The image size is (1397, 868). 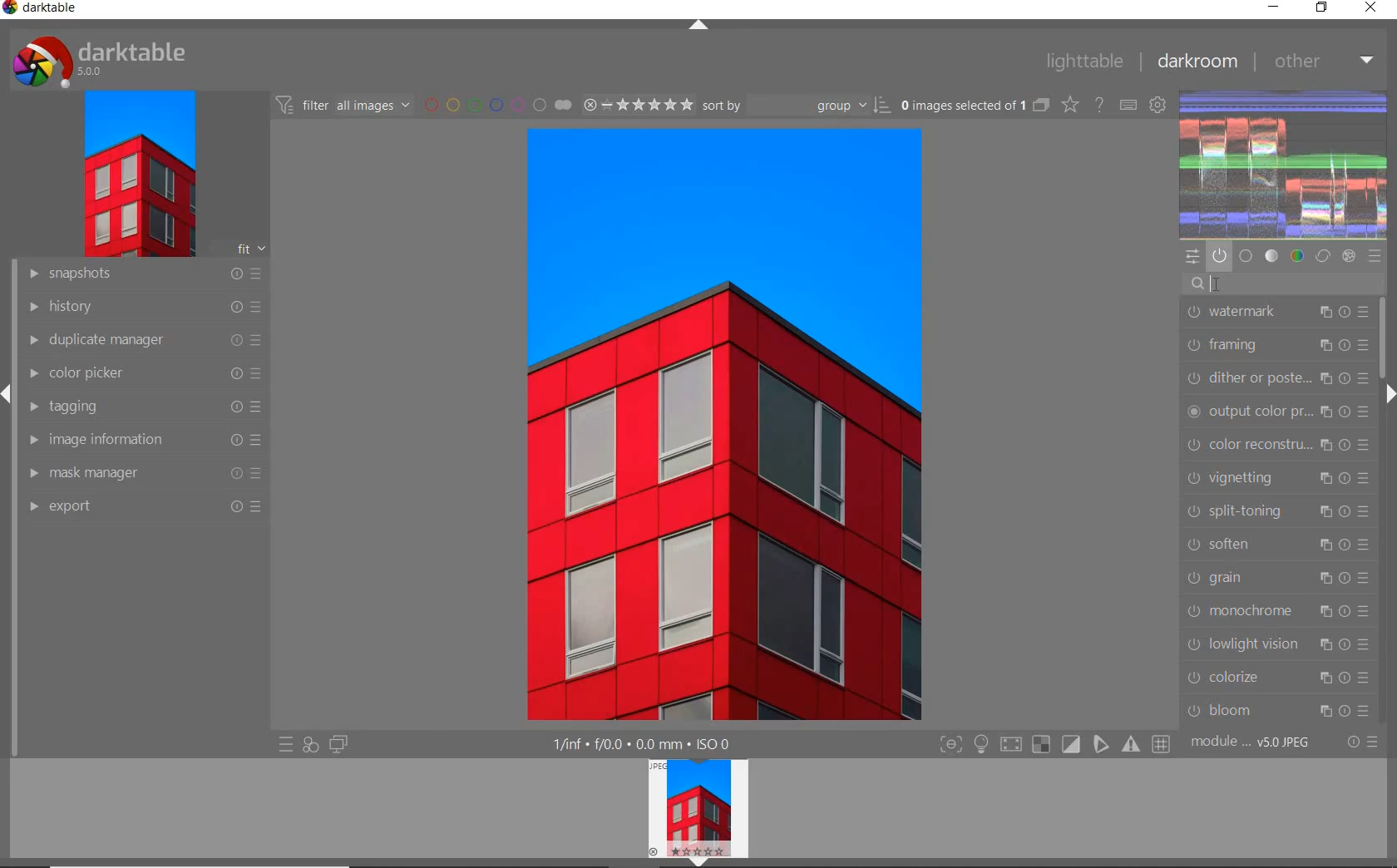 What do you see at coordinates (141, 407) in the screenshot?
I see `tagging` at bounding box center [141, 407].